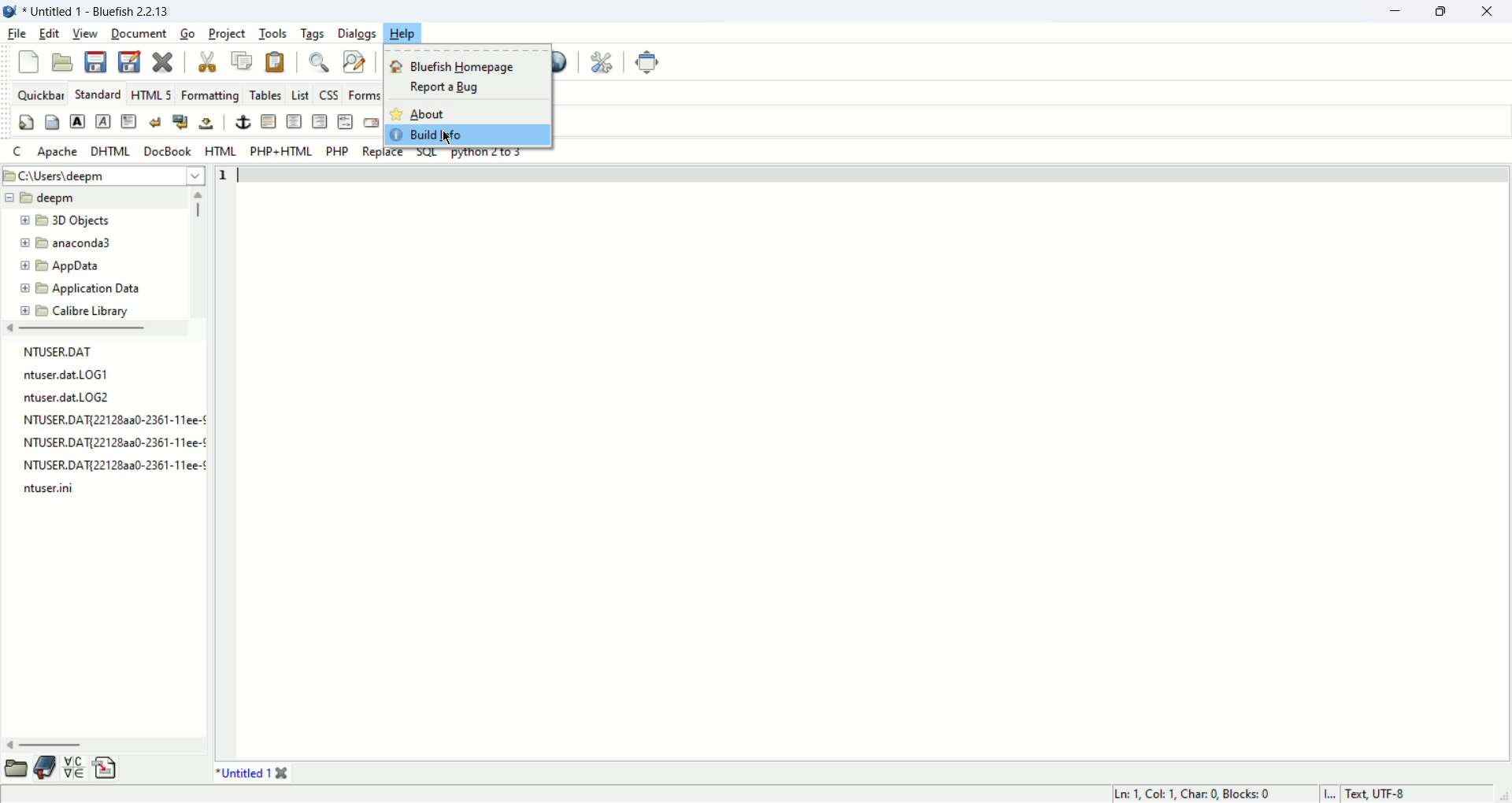 This screenshot has width=1512, height=803. I want to click on bookmarks, so click(45, 769).